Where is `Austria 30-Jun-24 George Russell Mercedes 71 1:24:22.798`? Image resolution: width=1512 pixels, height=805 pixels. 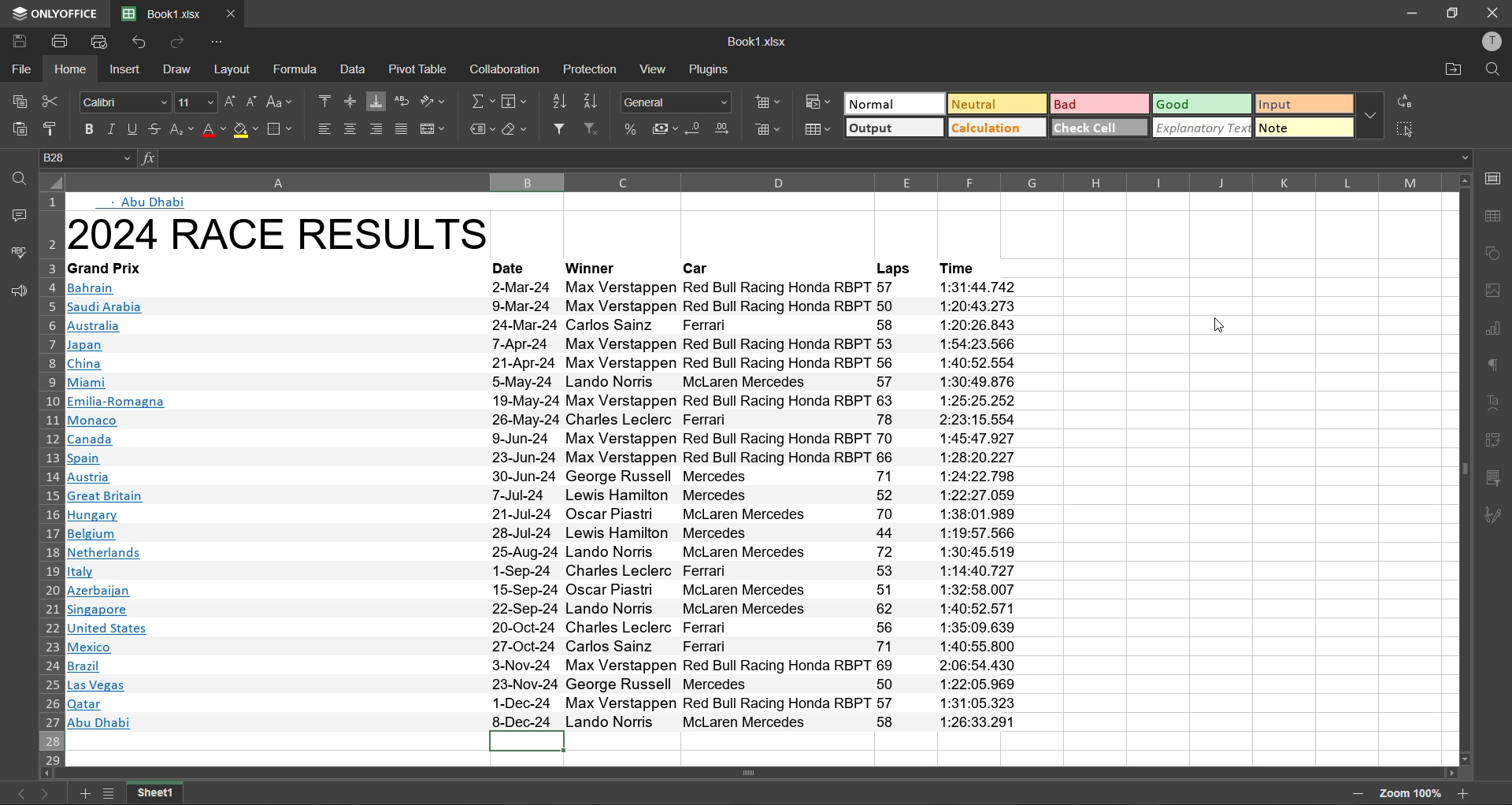
Austria 30-Jun-24 George Russell Mercedes 71 1:24:22.798 is located at coordinates (543, 477).